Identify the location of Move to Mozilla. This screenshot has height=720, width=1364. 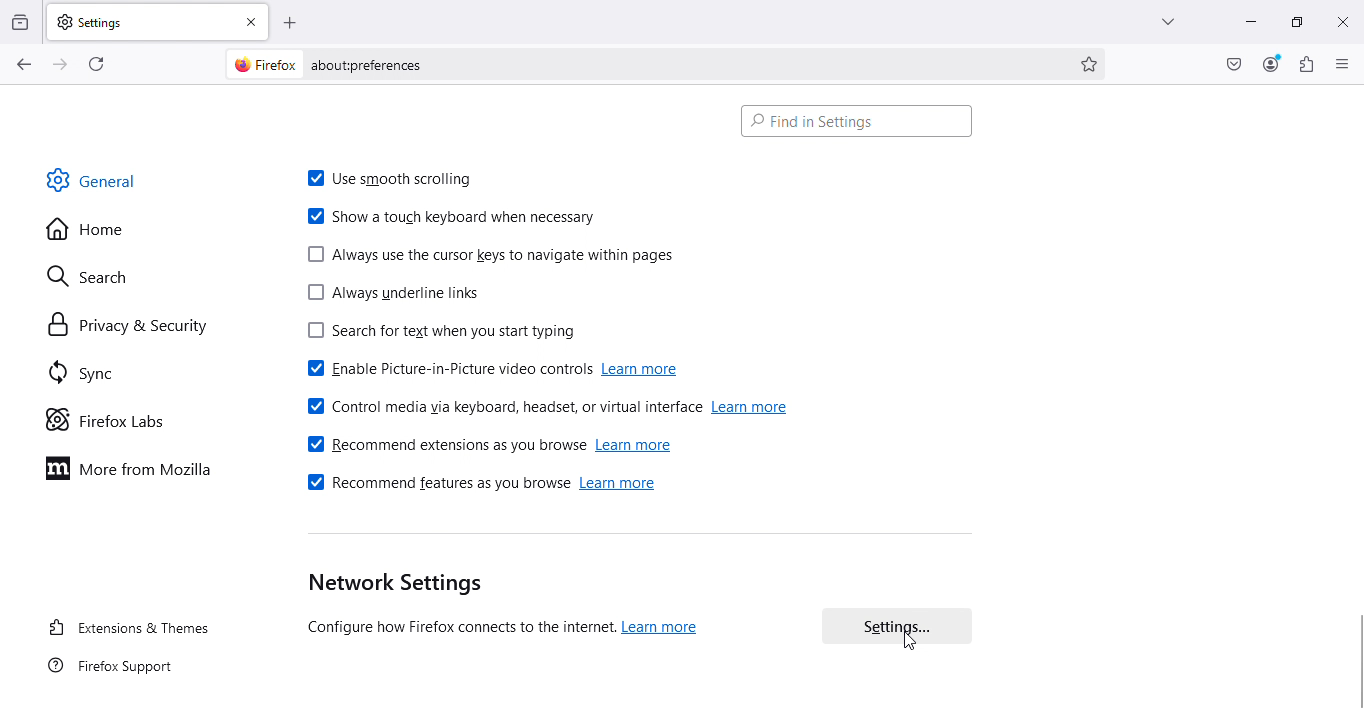
(134, 467).